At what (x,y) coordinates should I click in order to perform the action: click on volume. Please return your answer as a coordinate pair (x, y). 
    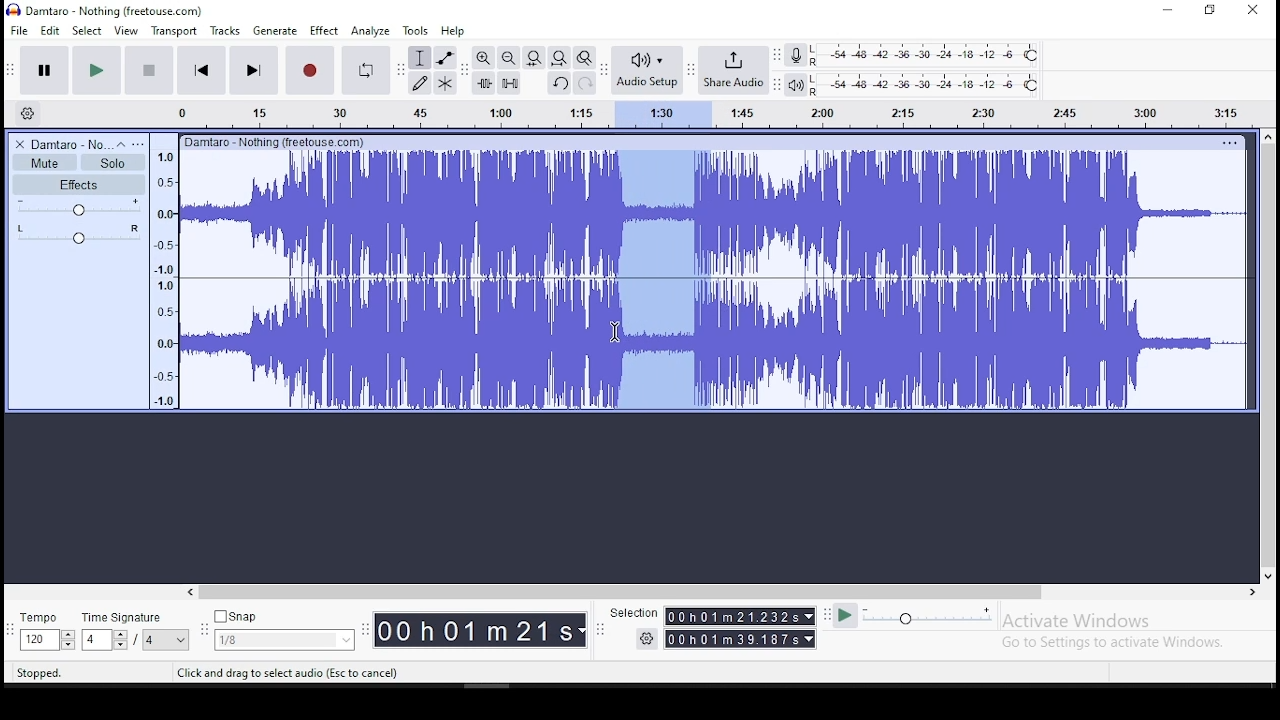
    Looking at the image, I should click on (80, 207).